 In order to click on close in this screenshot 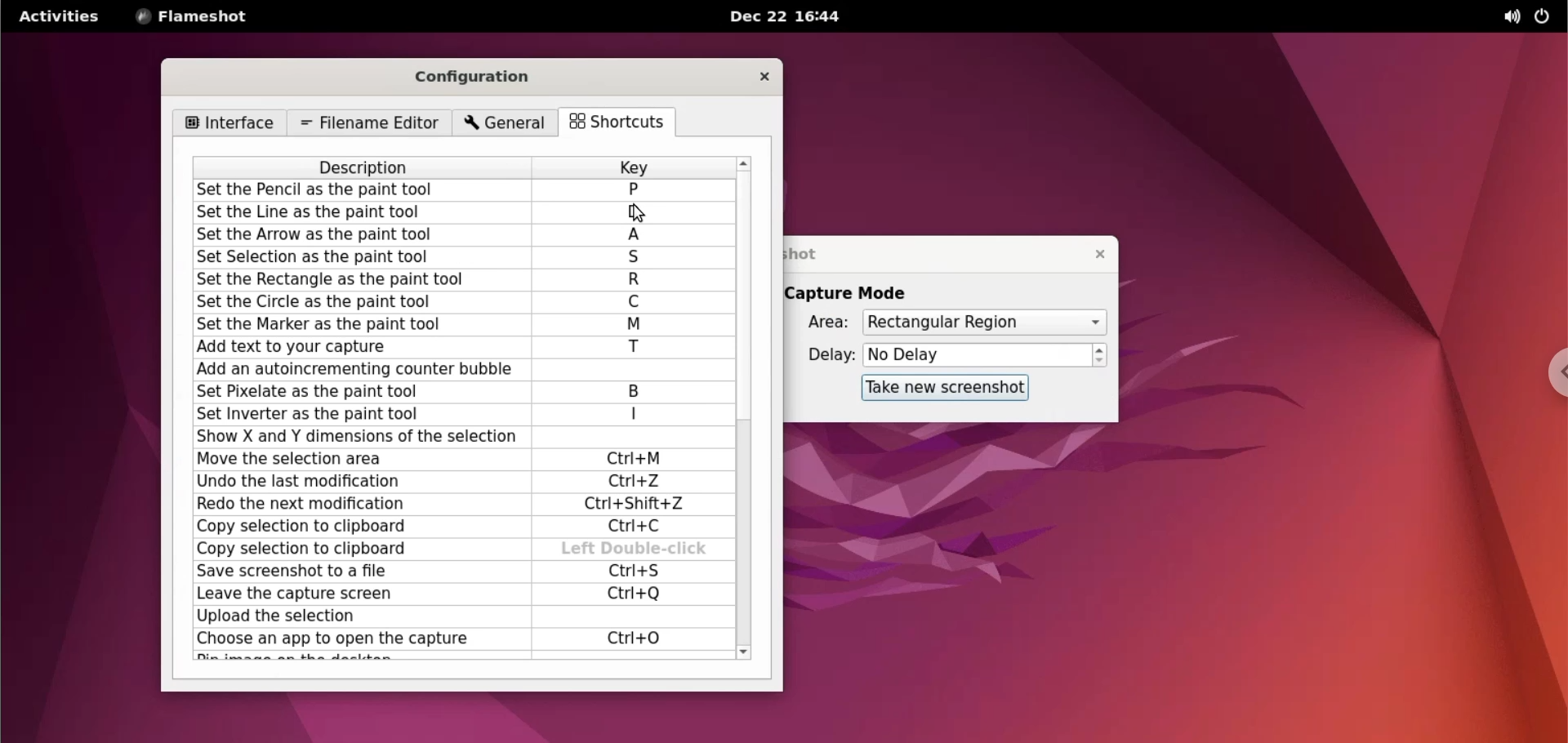, I will do `click(1094, 253)`.